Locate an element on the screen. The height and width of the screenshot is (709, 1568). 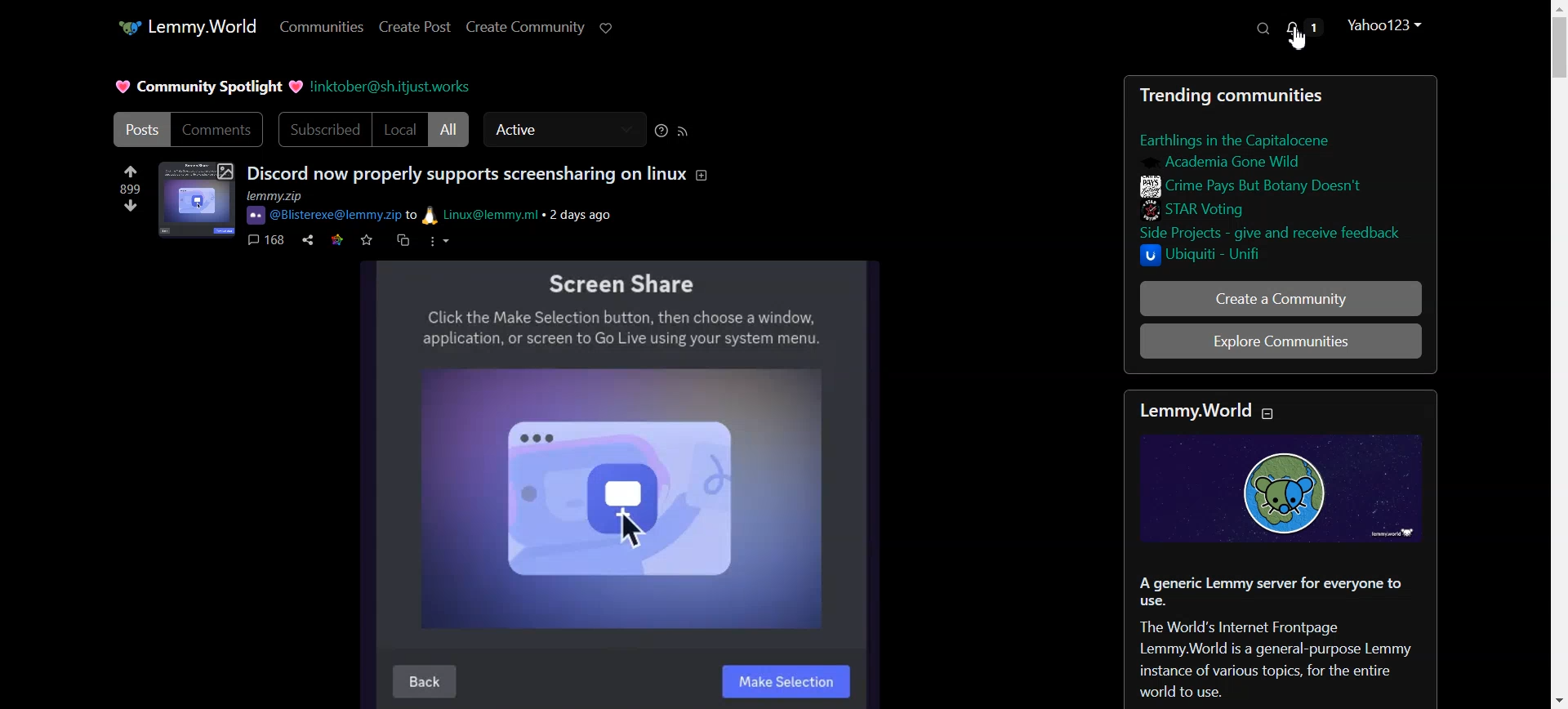
Comment is located at coordinates (266, 239).